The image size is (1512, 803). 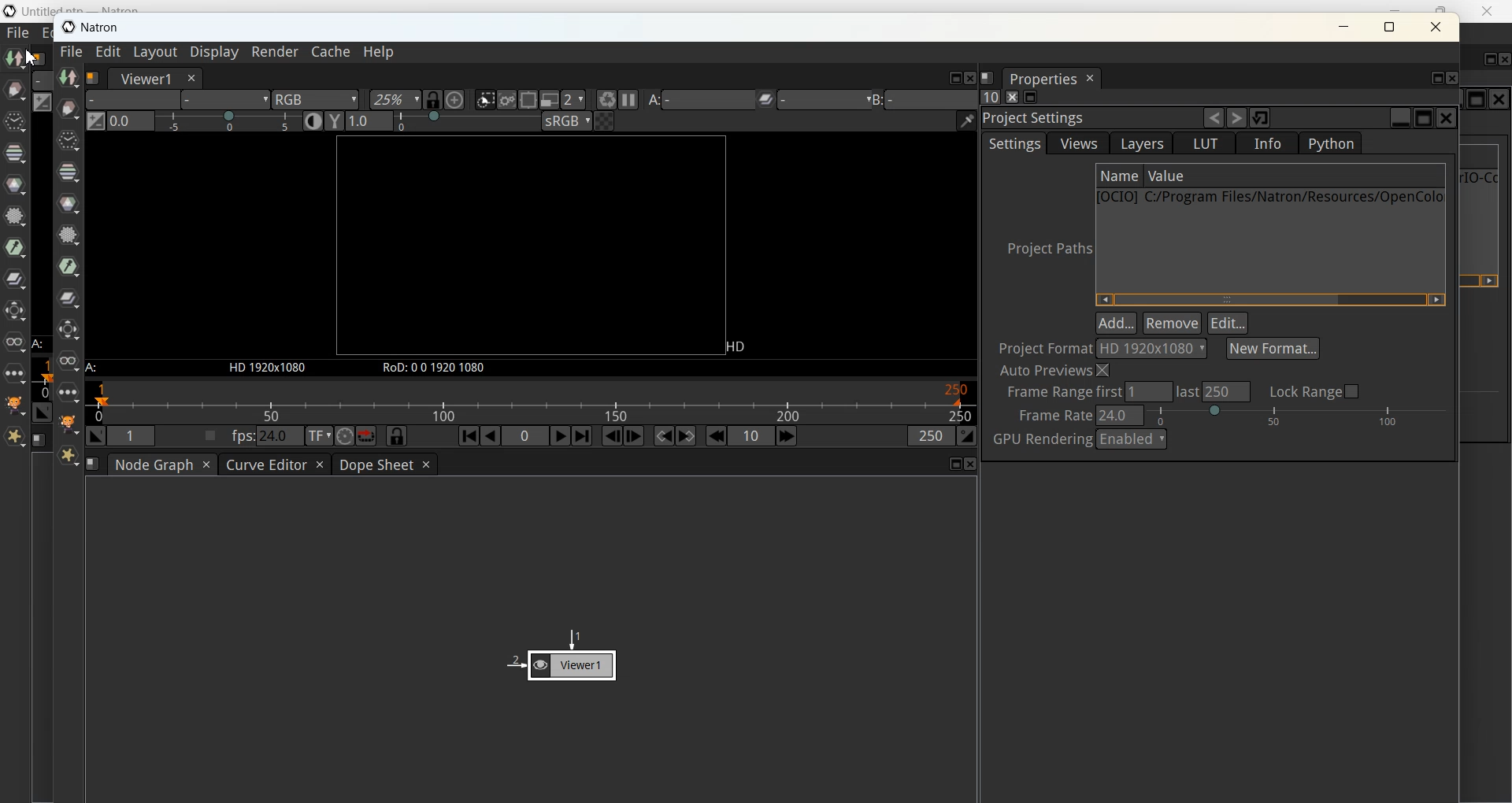 What do you see at coordinates (15, 215) in the screenshot?
I see `Filter` at bounding box center [15, 215].